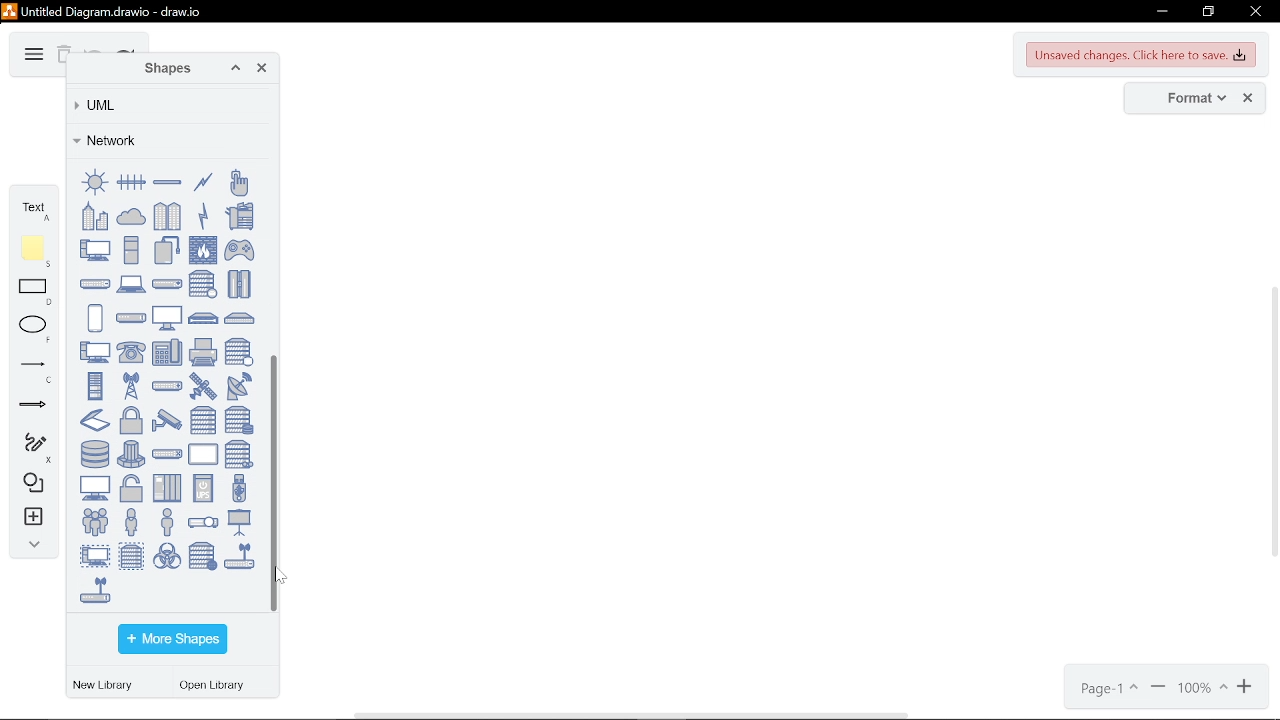 The height and width of the screenshot is (720, 1280). What do you see at coordinates (167, 420) in the screenshot?
I see `security camera` at bounding box center [167, 420].